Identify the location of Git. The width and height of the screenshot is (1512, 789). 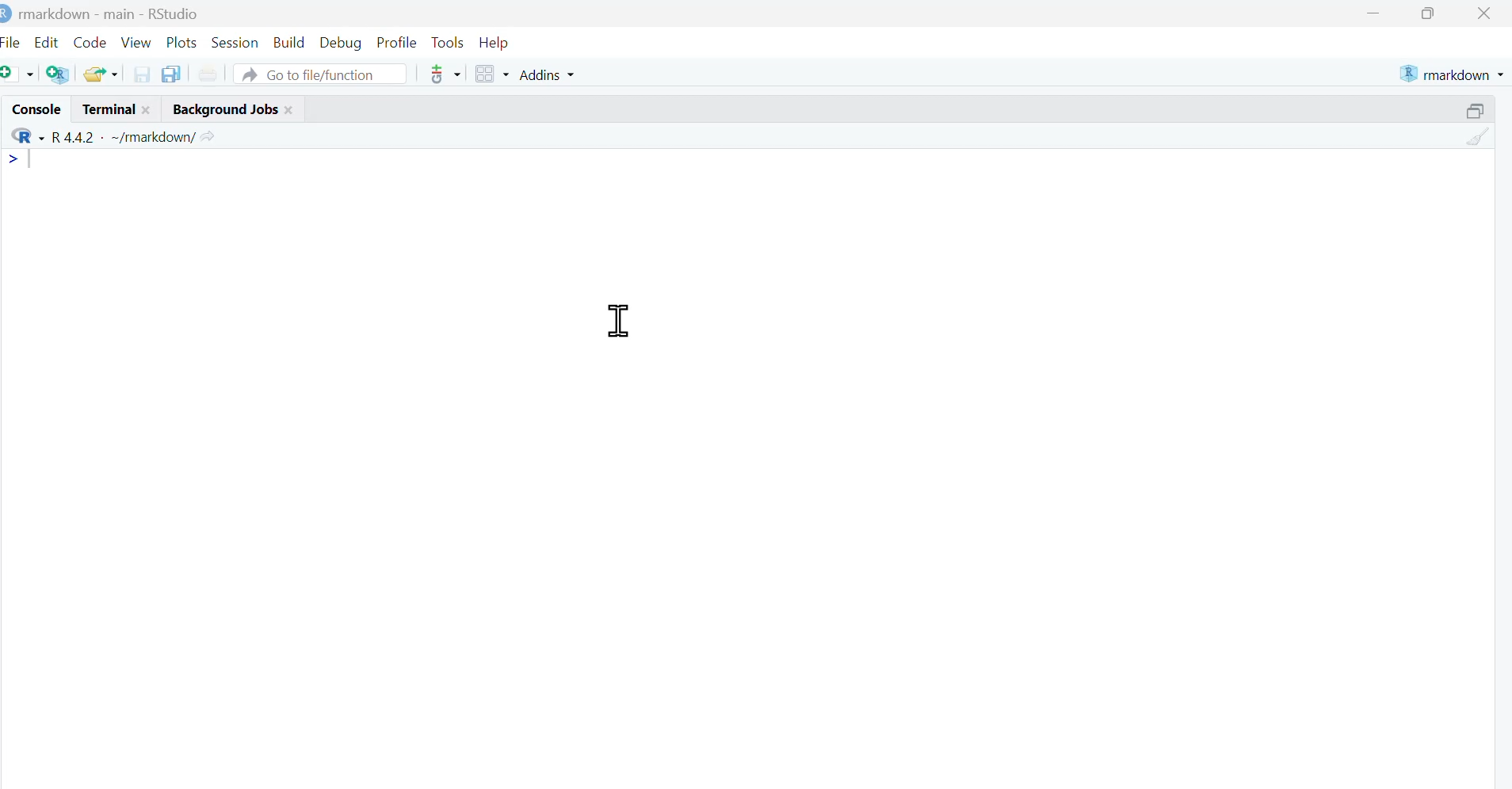
(444, 75).